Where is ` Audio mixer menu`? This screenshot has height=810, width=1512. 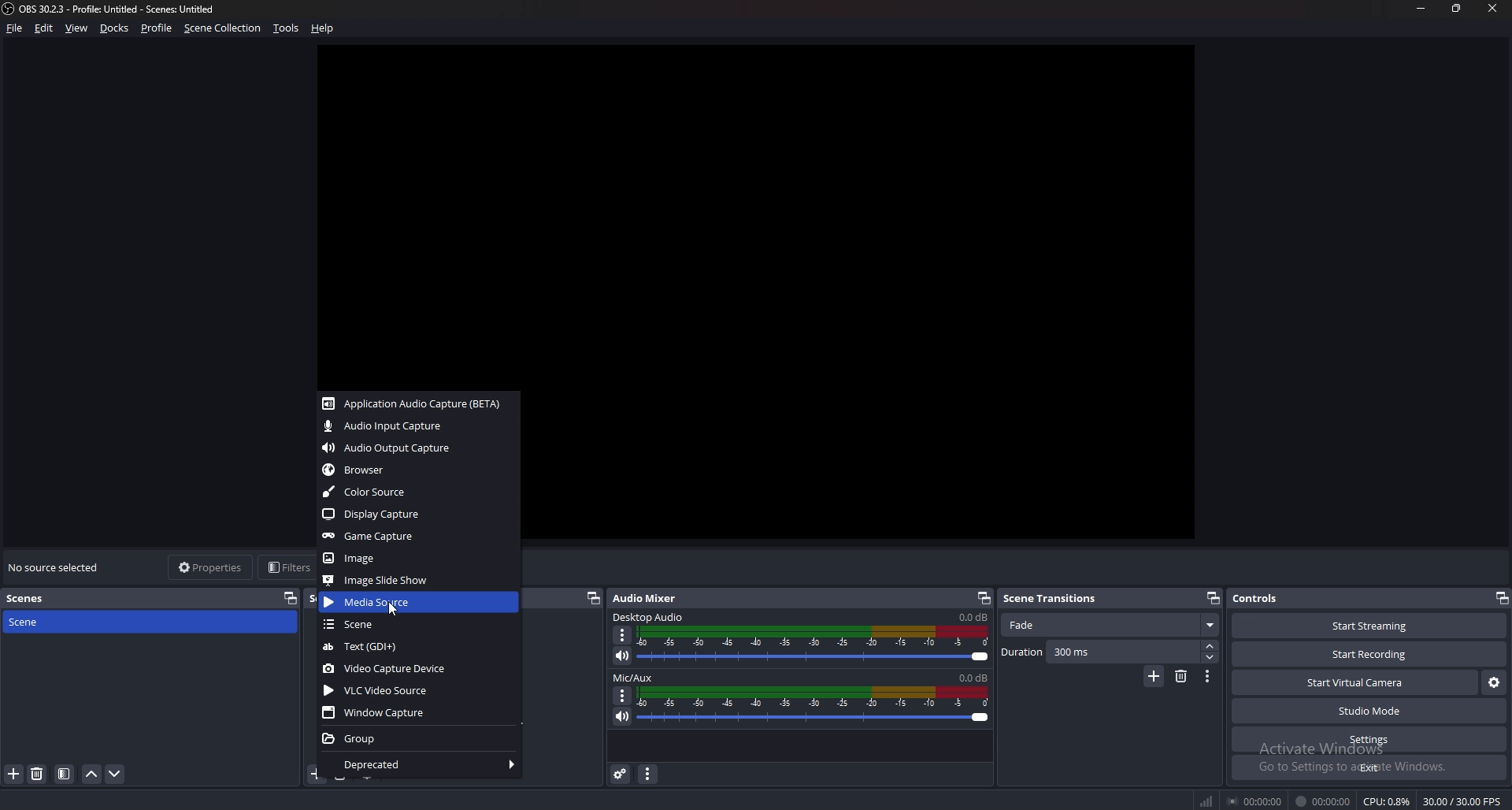
 Audio mixer menu is located at coordinates (647, 775).